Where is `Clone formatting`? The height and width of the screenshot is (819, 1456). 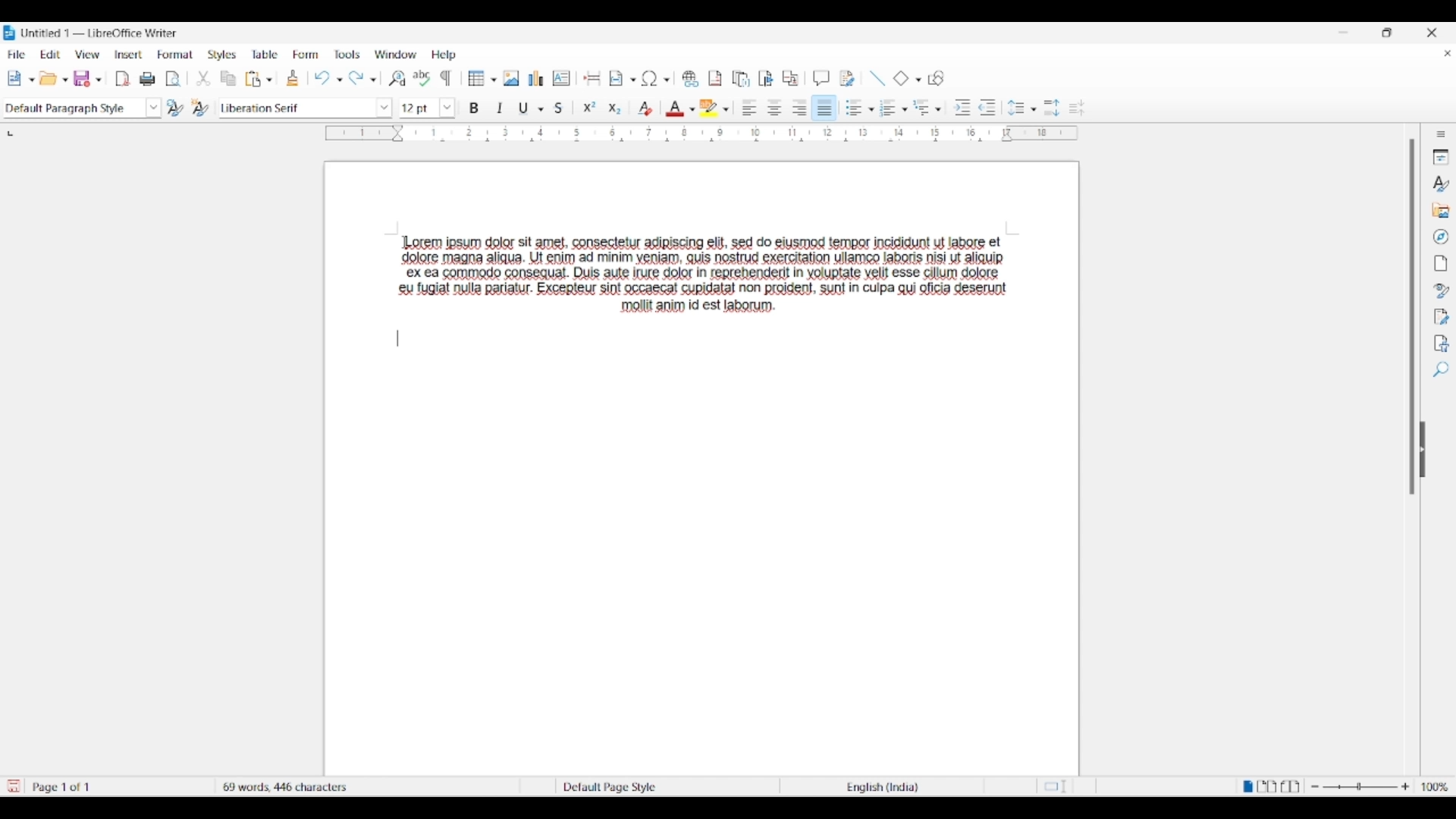 Clone formatting is located at coordinates (292, 77).